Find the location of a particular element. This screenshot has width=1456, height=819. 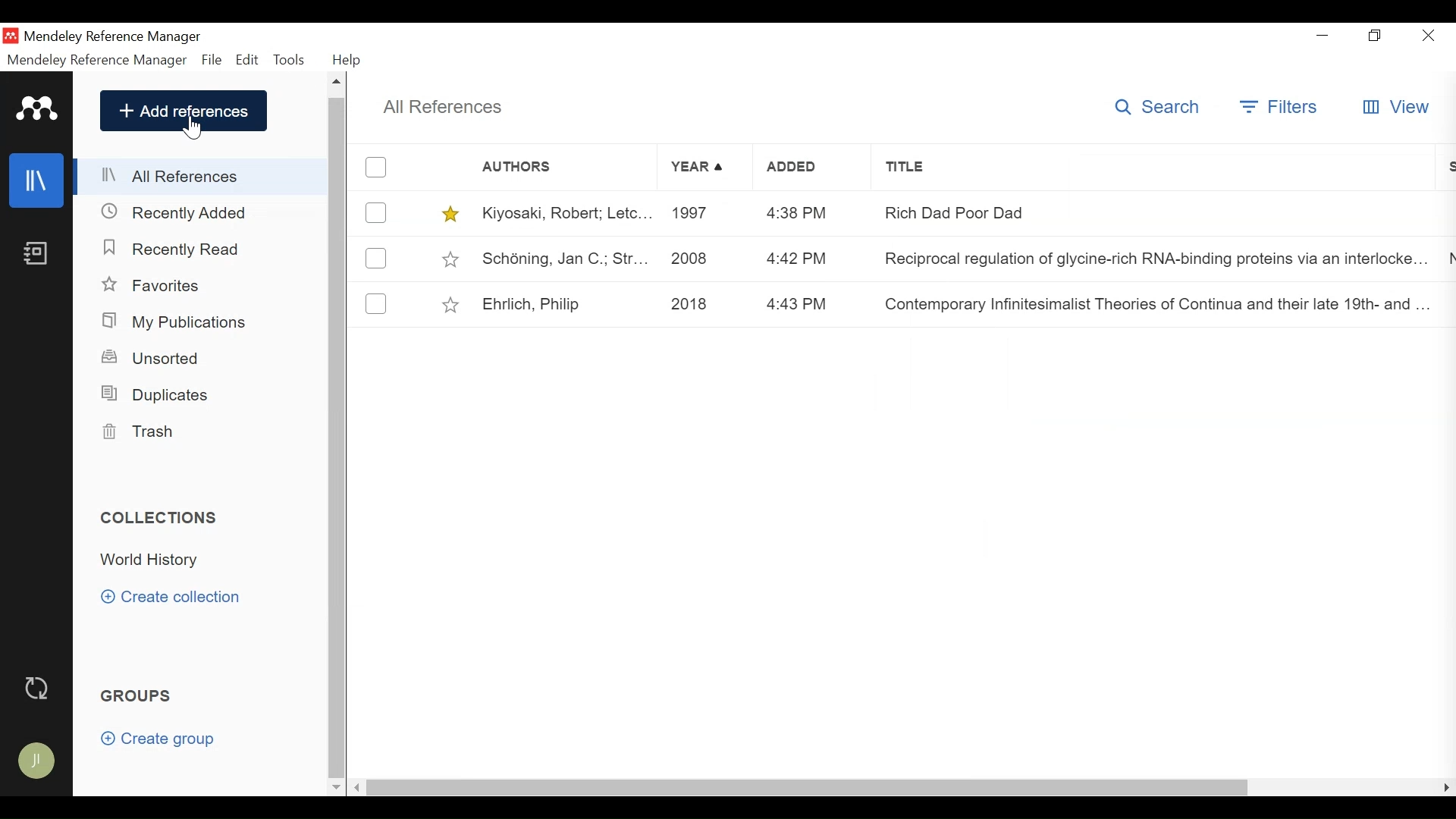

Mendeley Desktop Icon is located at coordinates (11, 35).